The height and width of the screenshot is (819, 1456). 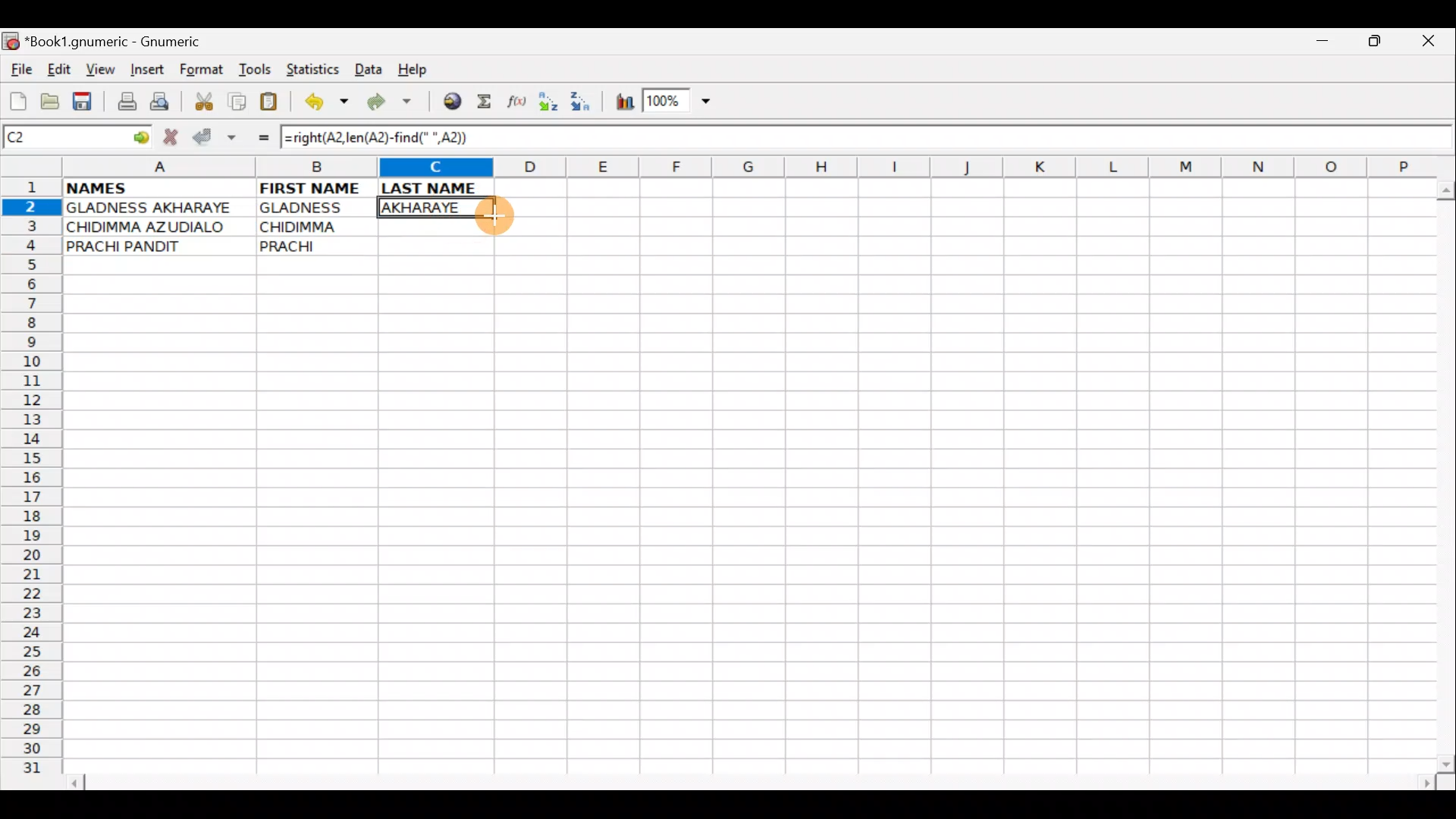 I want to click on Cursor on cell C2, so click(x=491, y=211).